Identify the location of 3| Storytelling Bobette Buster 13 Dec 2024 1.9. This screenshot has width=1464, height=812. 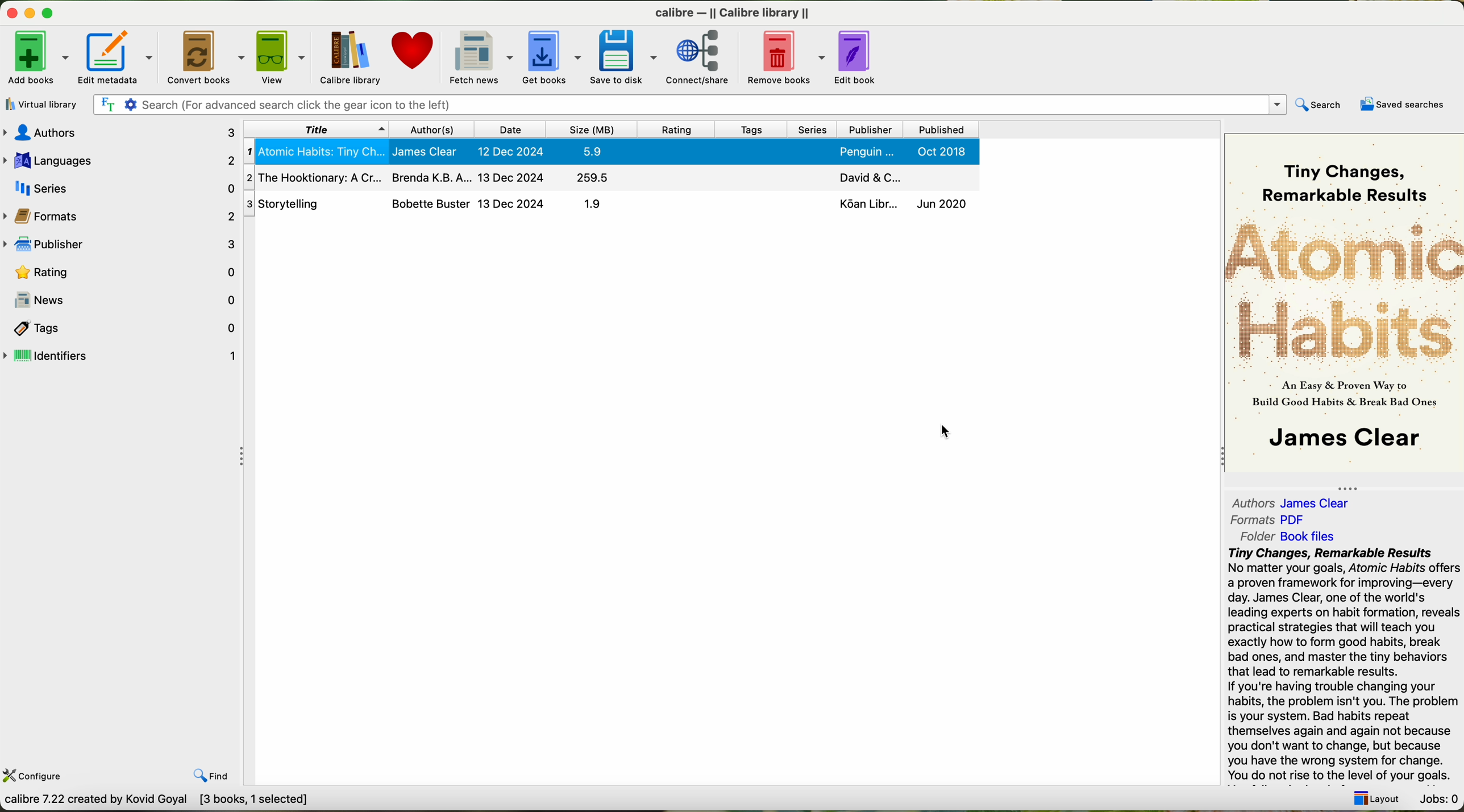
(442, 204).